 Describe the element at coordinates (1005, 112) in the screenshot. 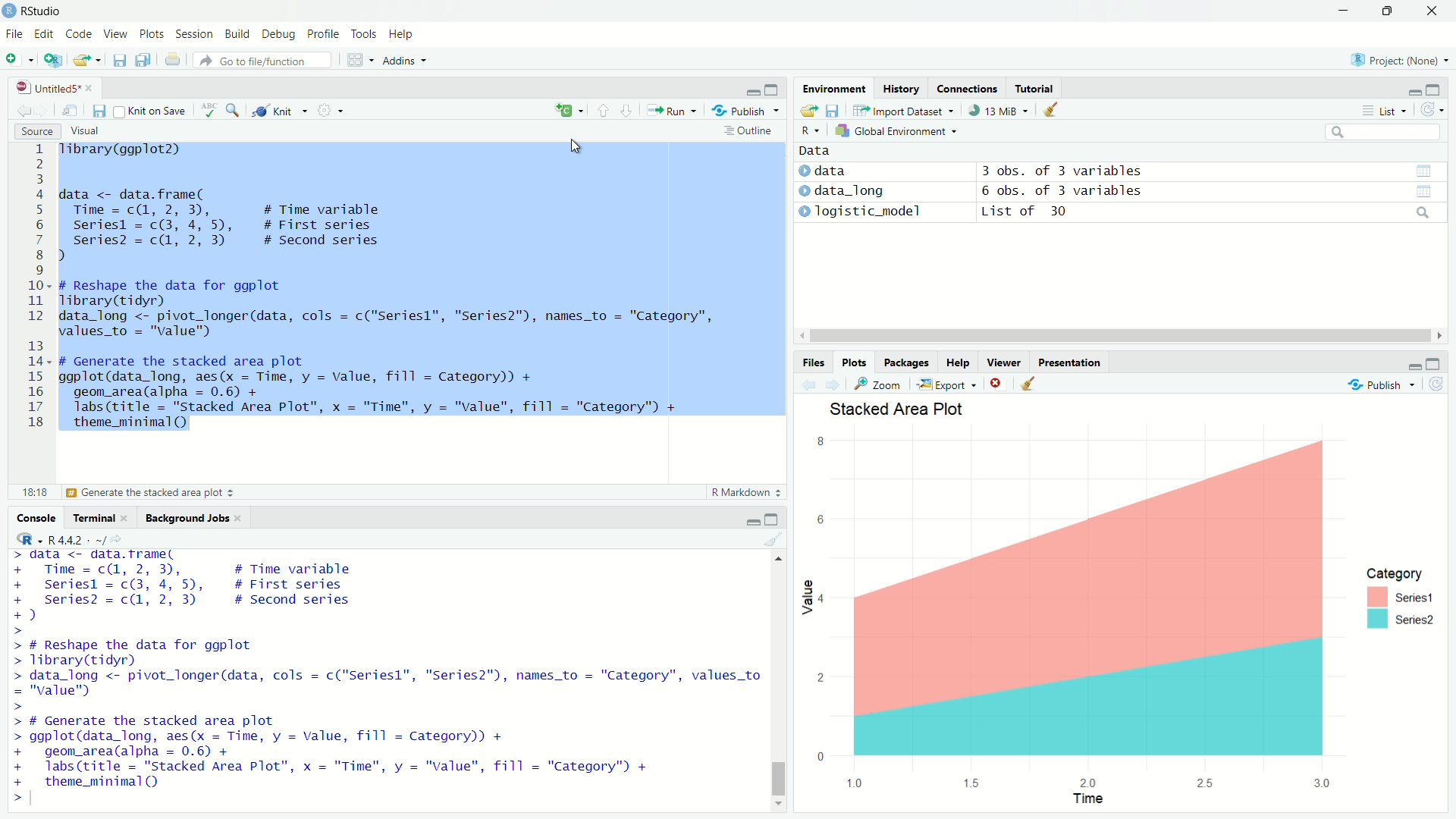

I see `13 MiB +` at that location.